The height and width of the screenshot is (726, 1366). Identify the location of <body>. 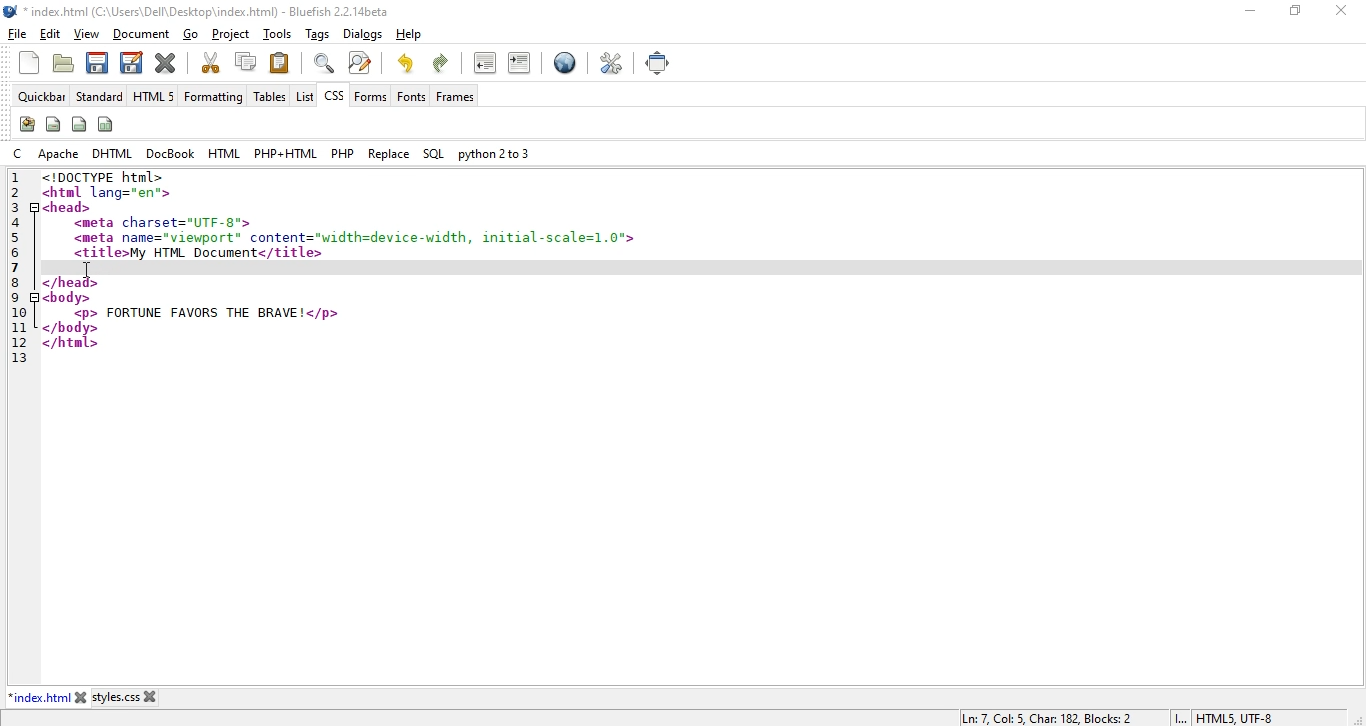
(66, 297).